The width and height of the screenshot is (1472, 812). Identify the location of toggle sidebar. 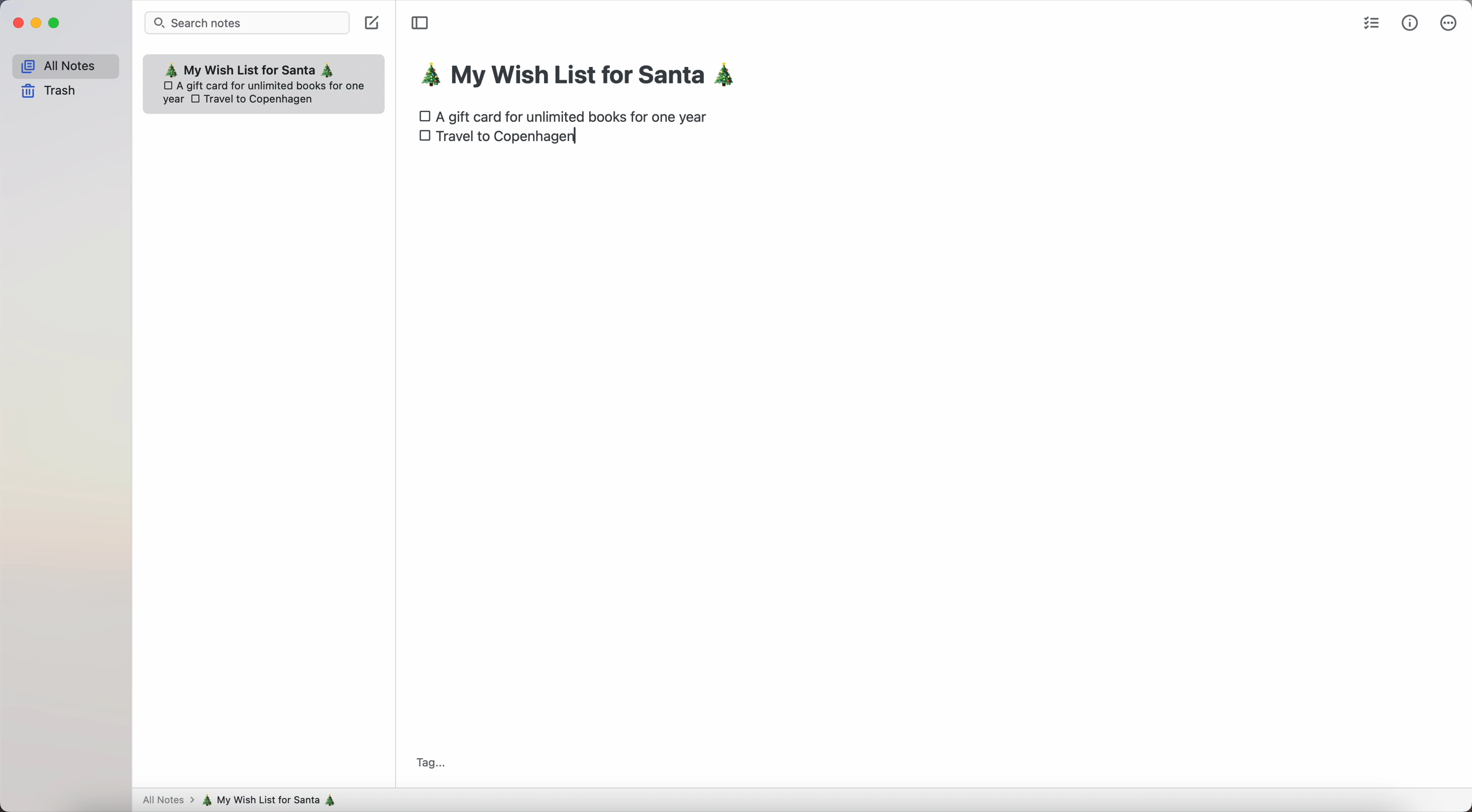
(419, 23).